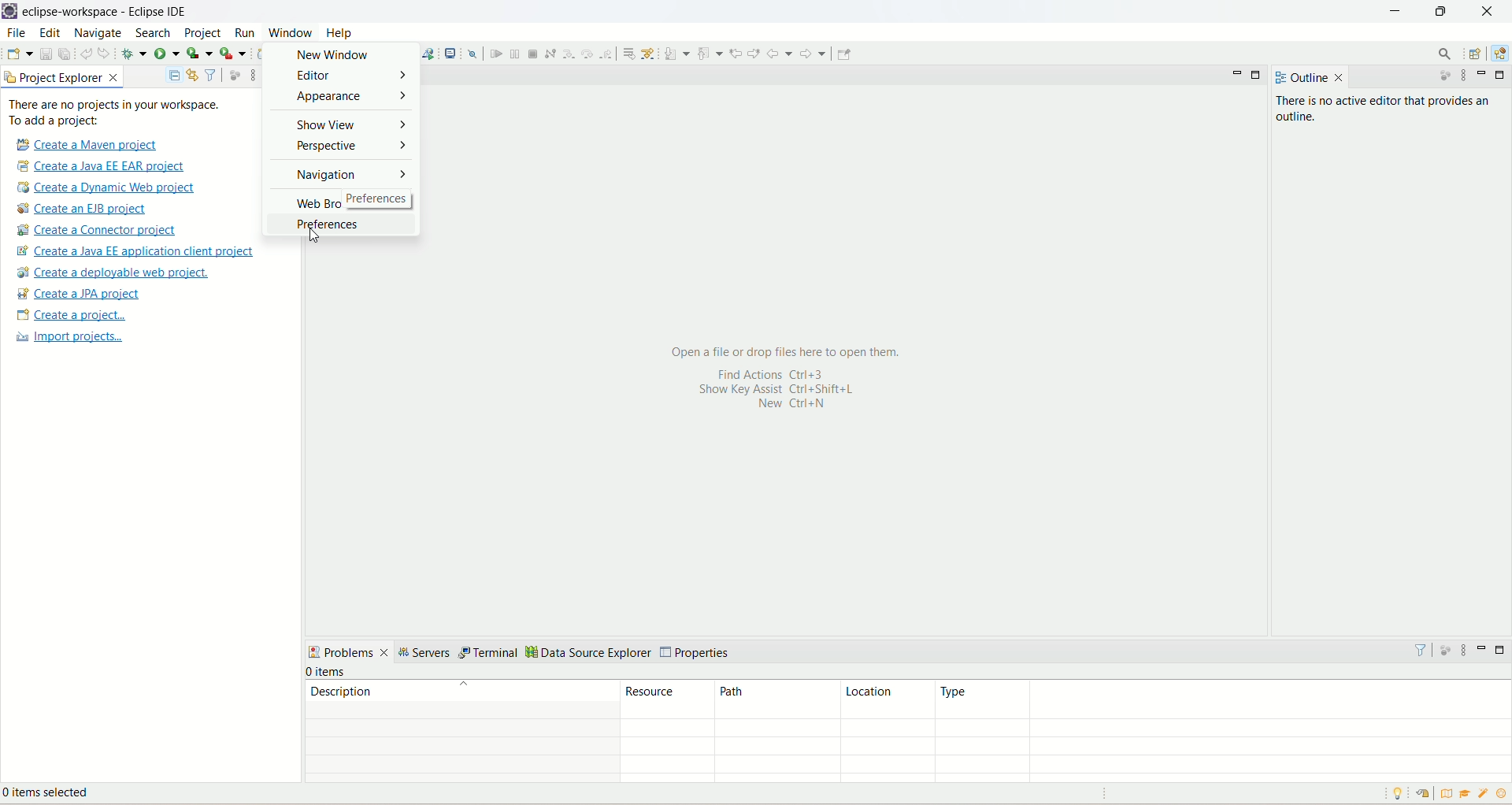 The width and height of the screenshot is (1512, 805). What do you see at coordinates (1340, 78) in the screenshot?
I see `close` at bounding box center [1340, 78].